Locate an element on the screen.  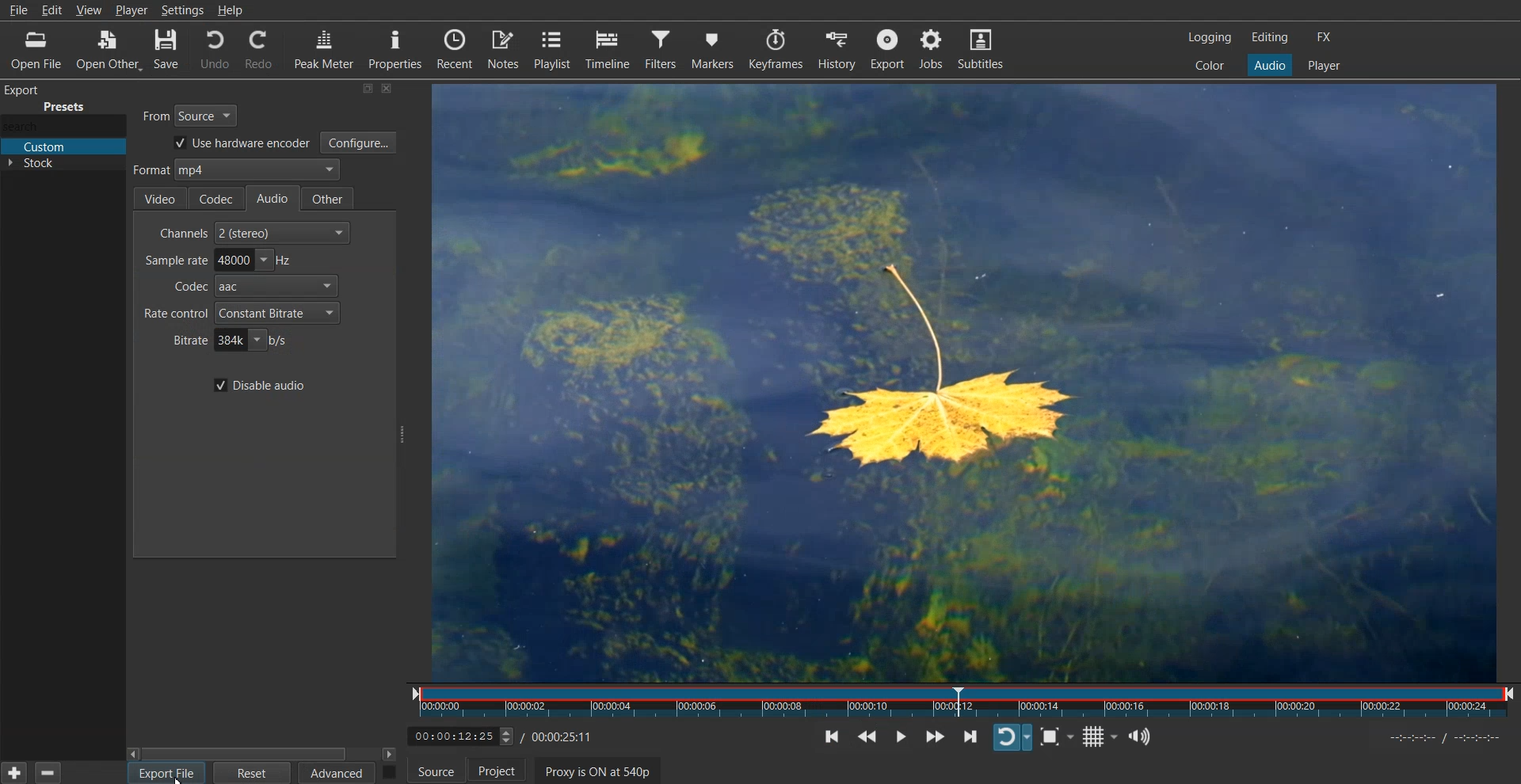
Audio format selector is located at coordinates (234, 171).